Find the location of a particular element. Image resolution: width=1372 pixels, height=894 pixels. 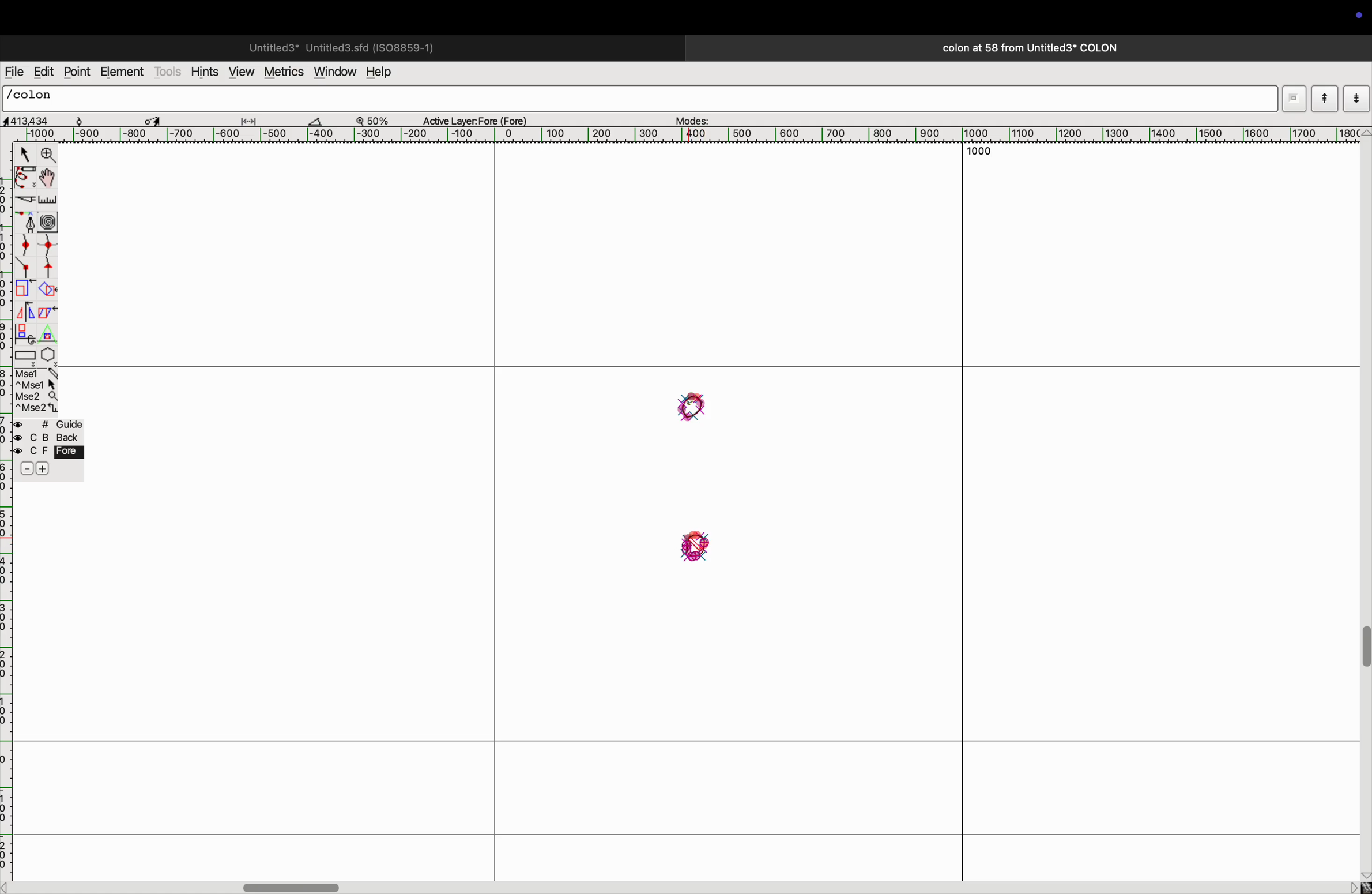

cursor is located at coordinates (22, 153).